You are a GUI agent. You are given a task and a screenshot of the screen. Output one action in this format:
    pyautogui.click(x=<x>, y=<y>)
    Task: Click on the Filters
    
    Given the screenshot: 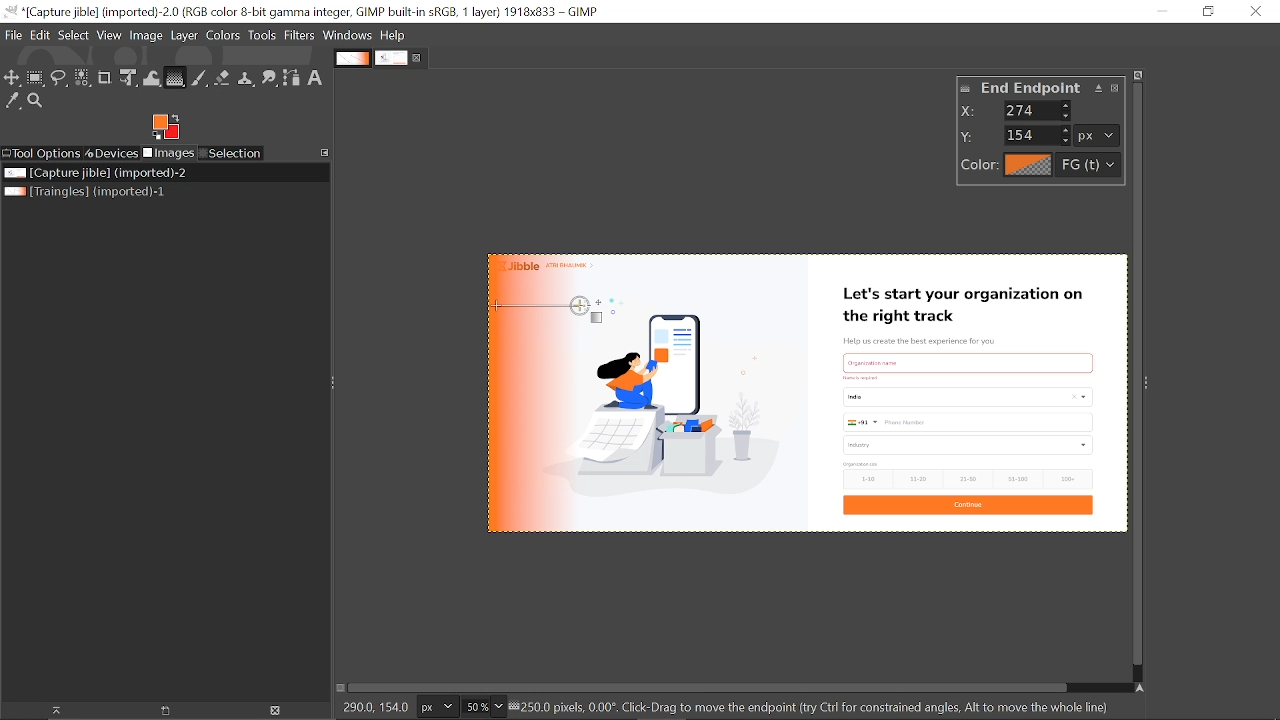 What is the action you would take?
    pyautogui.click(x=302, y=35)
    